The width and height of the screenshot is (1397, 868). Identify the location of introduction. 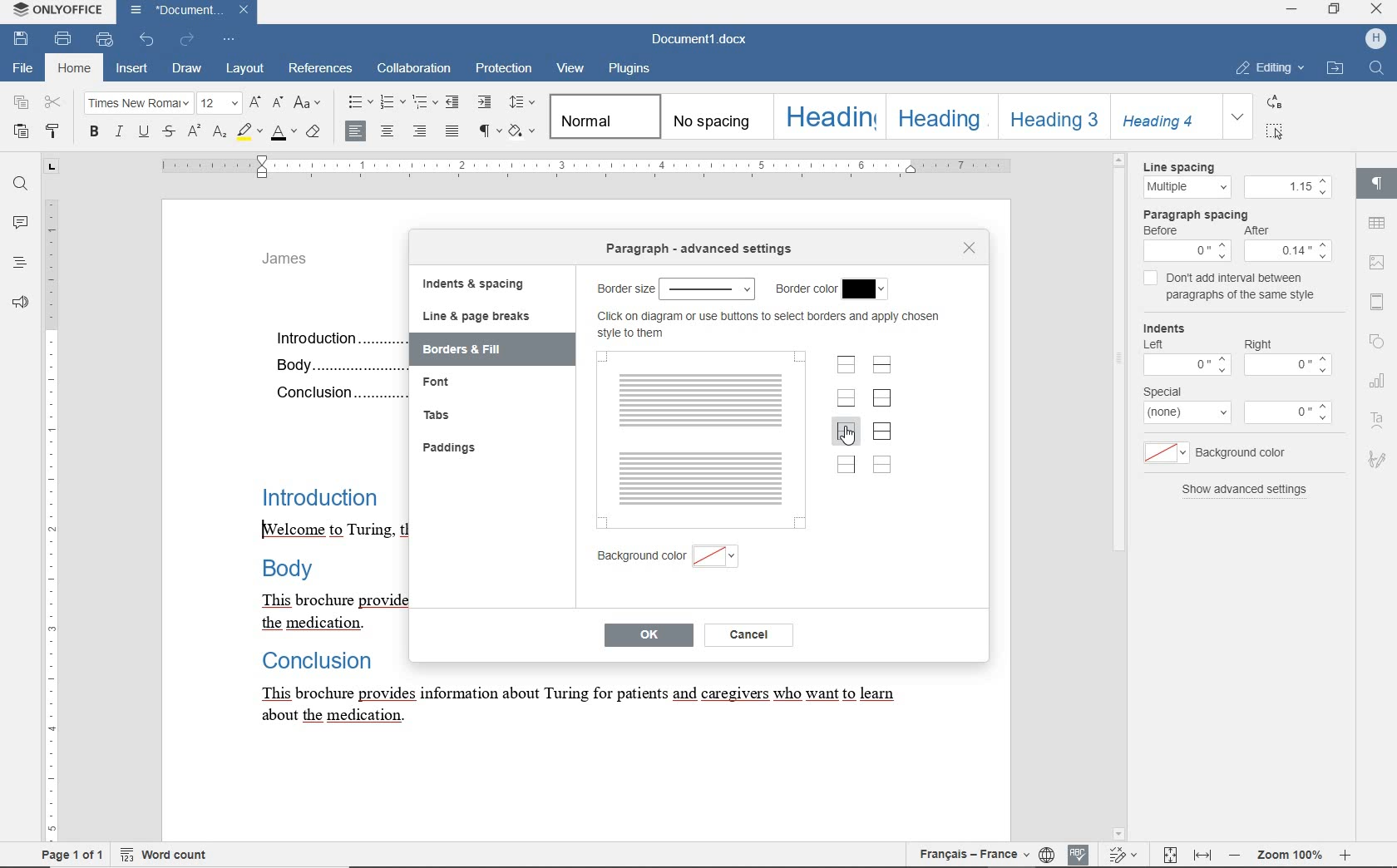
(335, 338).